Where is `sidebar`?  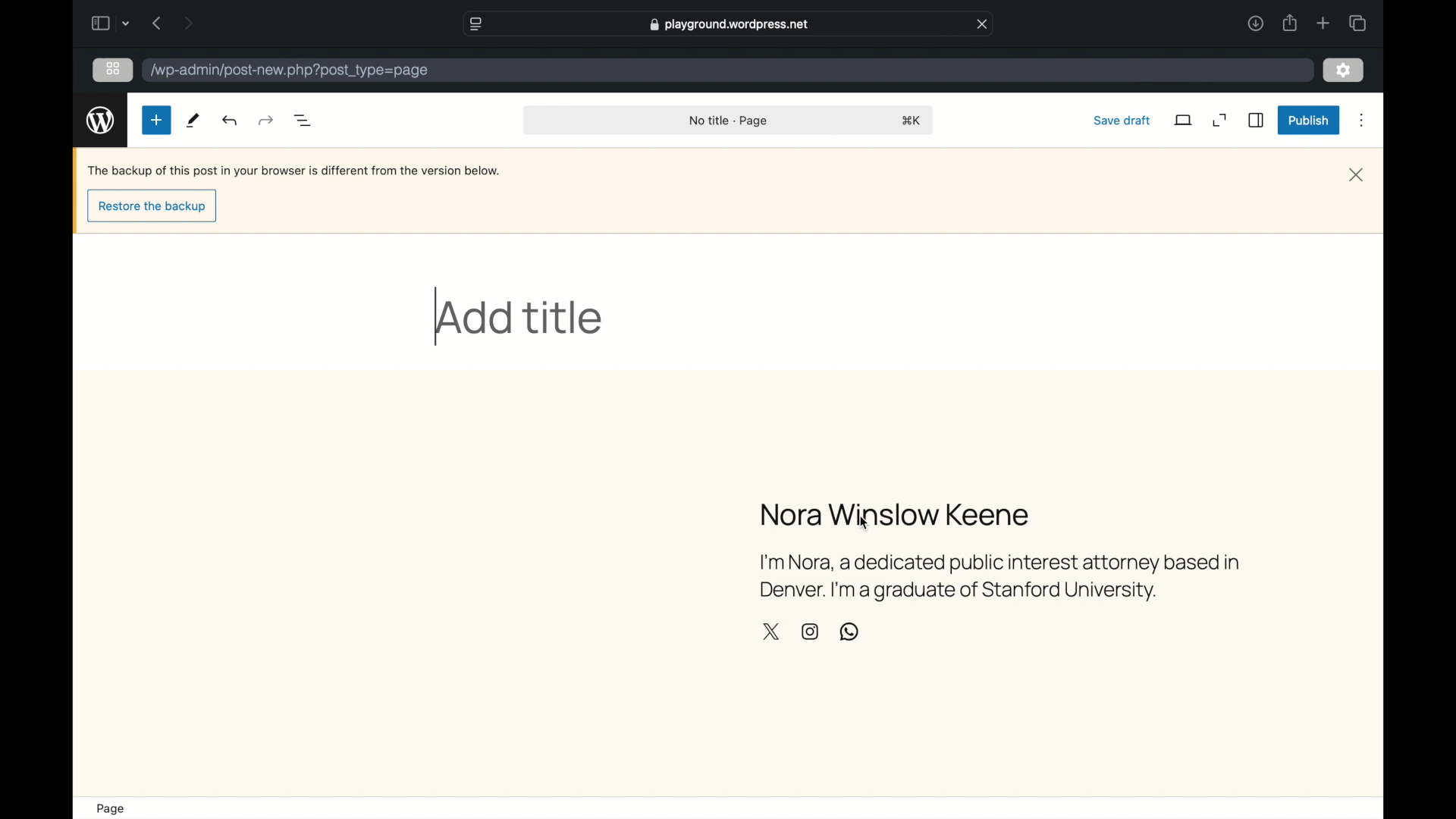 sidebar is located at coordinates (1257, 120).